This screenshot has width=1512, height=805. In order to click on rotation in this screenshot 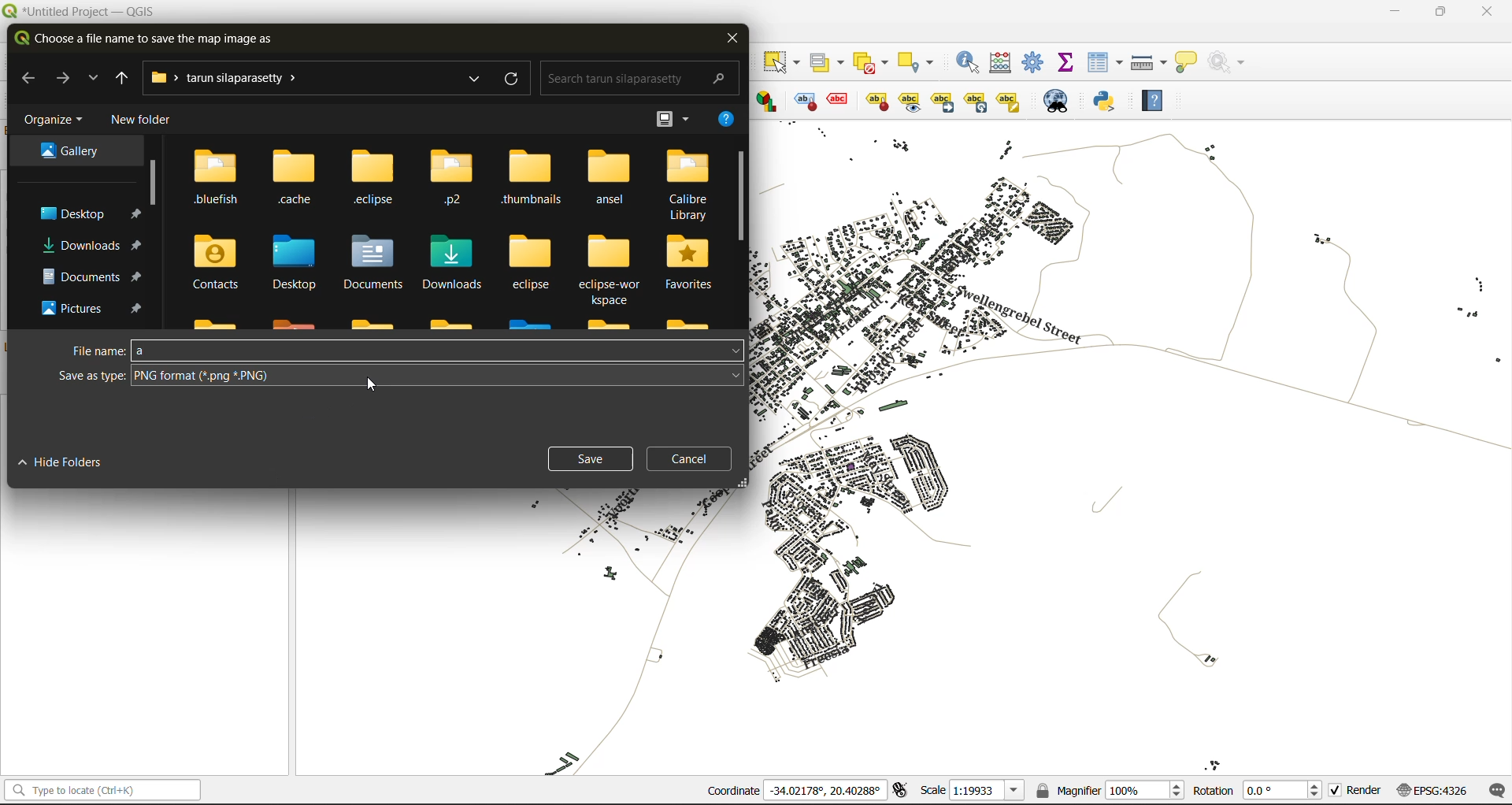, I will do `click(1258, 789)`.